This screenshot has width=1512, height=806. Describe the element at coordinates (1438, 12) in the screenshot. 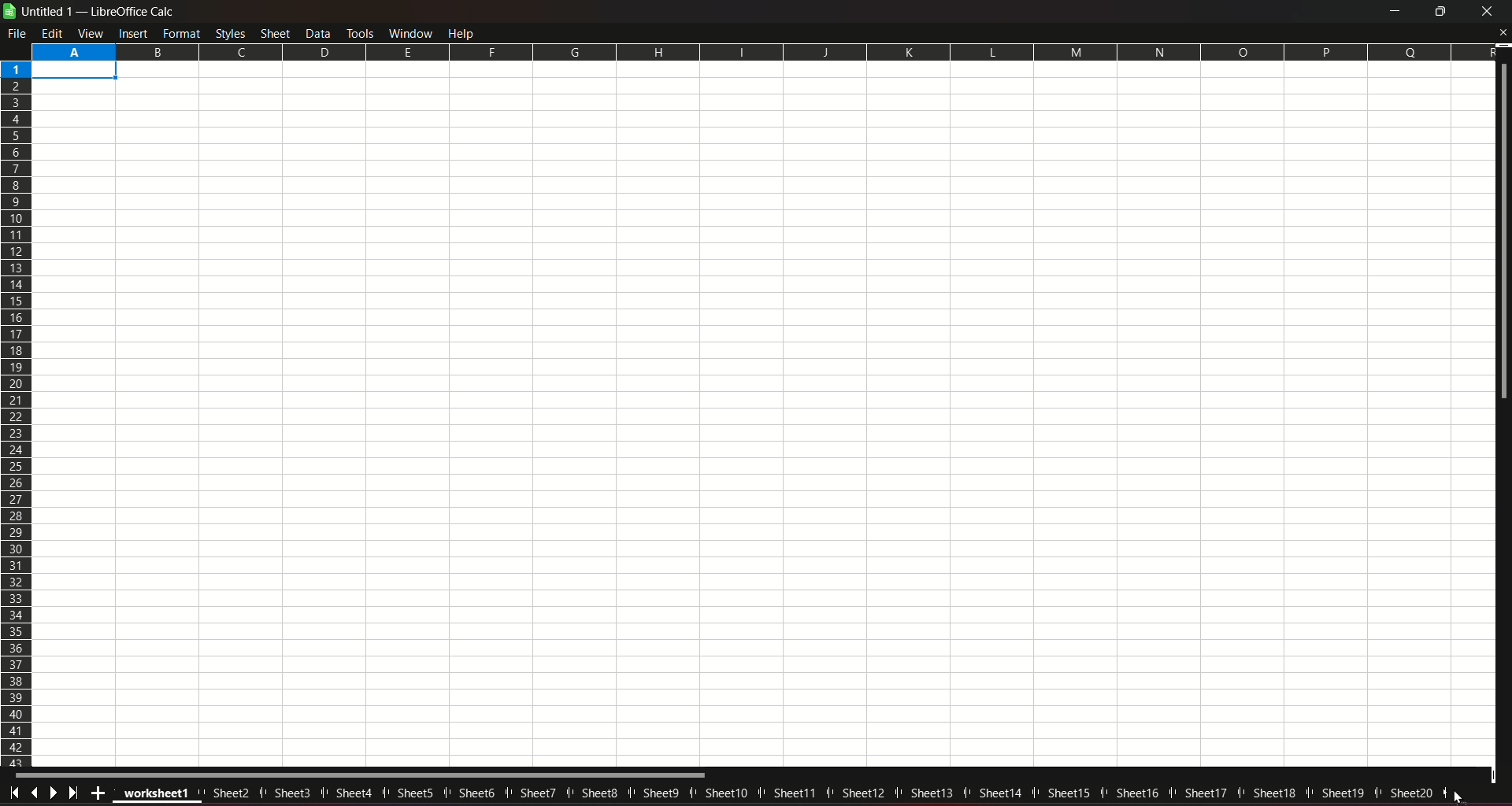

I see `minimize/maximize` at that location.